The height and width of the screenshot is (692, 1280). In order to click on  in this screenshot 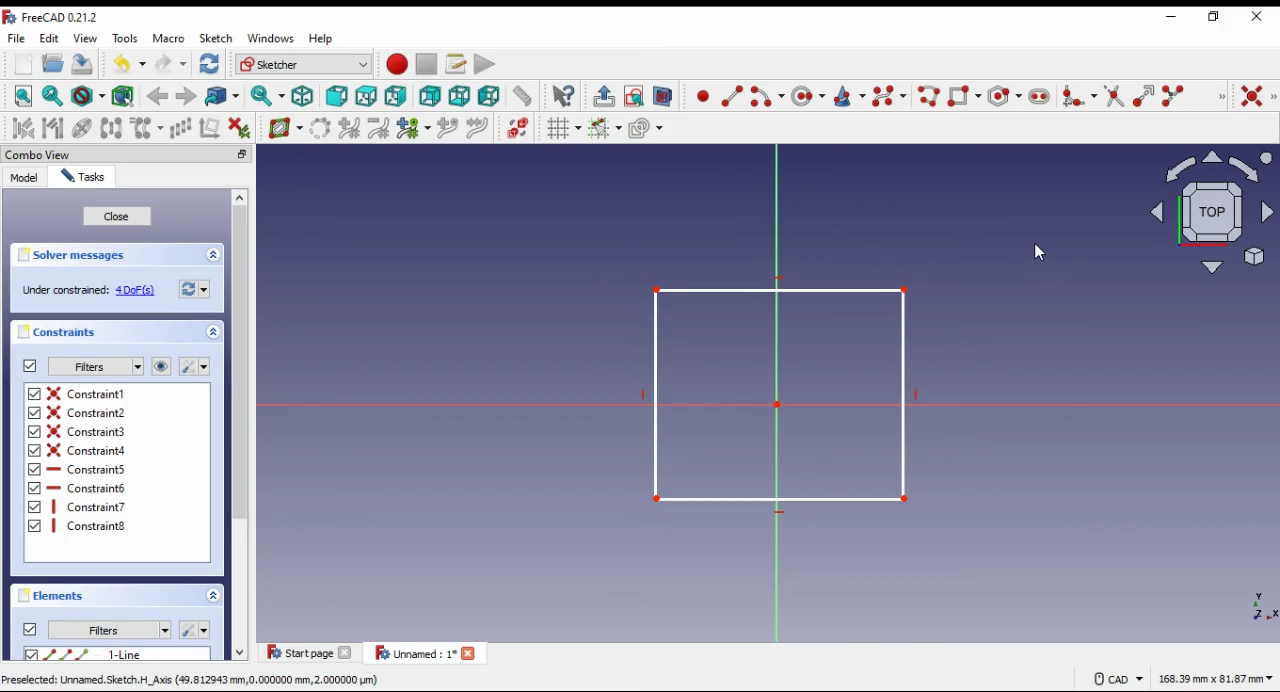, I will do `click(267, 96)`.